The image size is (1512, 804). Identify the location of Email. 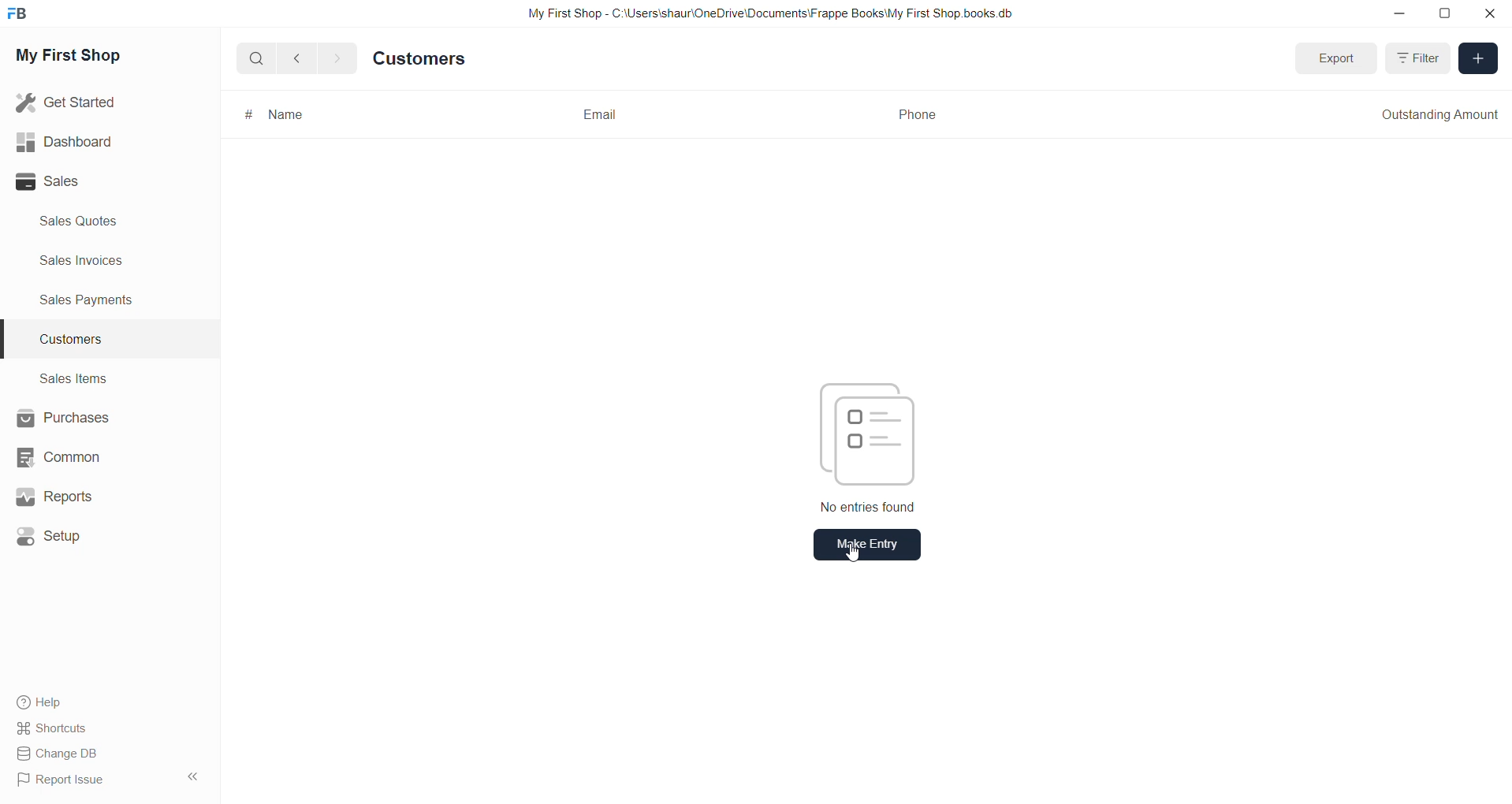
(597, 114).